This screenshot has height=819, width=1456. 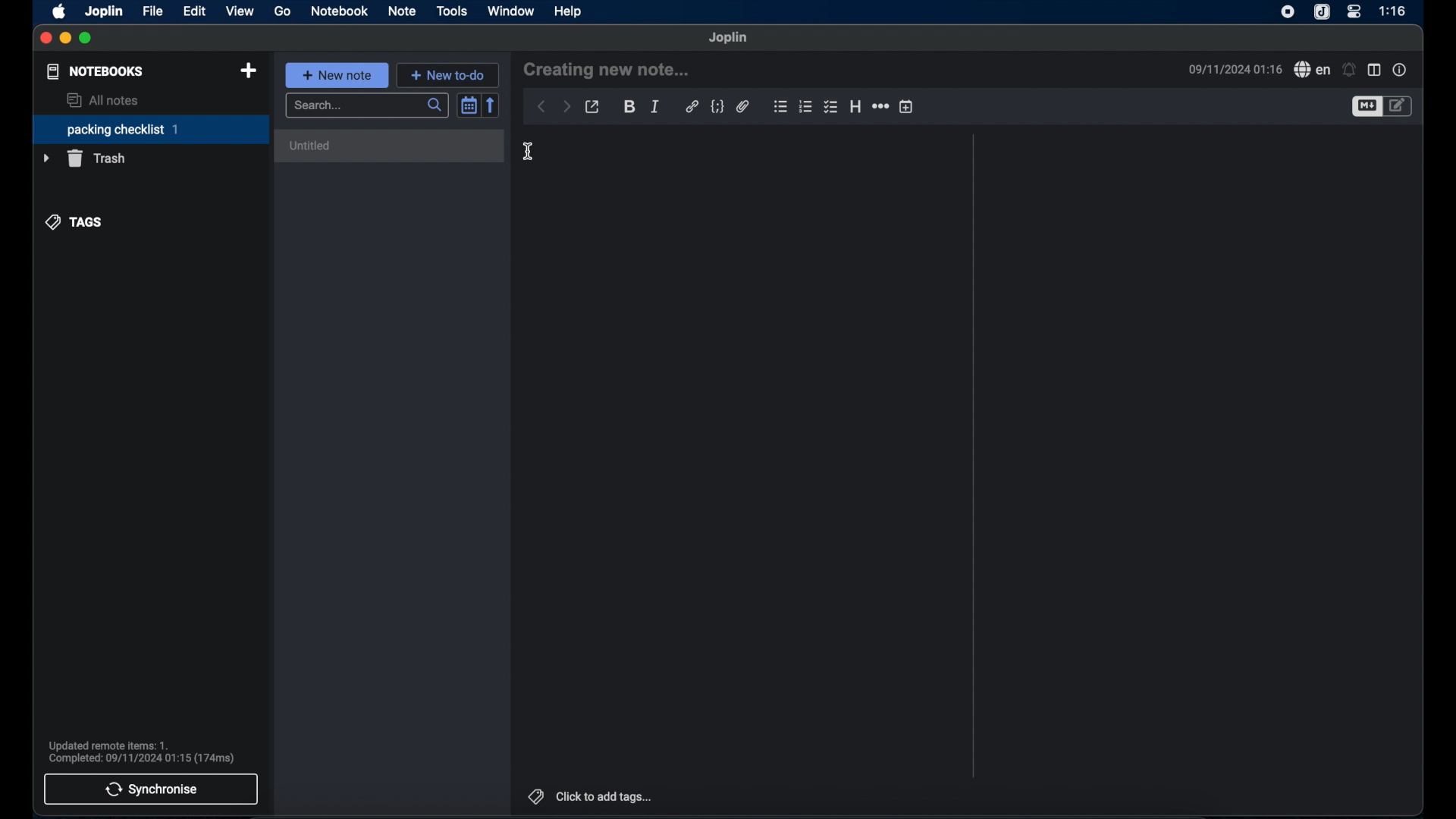 I want to click on cursor, so click(x=528, y=152).